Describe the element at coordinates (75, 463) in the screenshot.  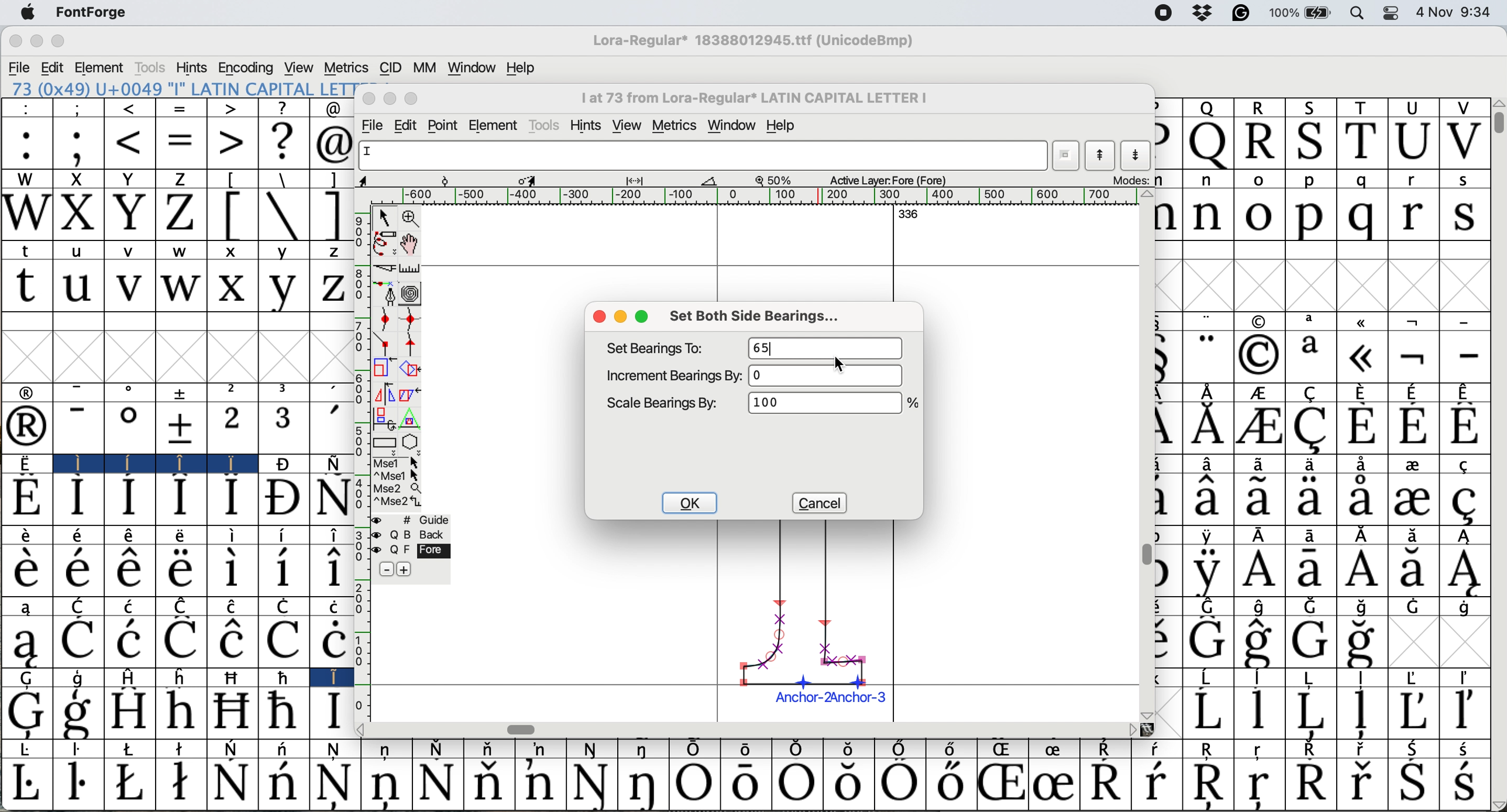
I see `I` at that location.